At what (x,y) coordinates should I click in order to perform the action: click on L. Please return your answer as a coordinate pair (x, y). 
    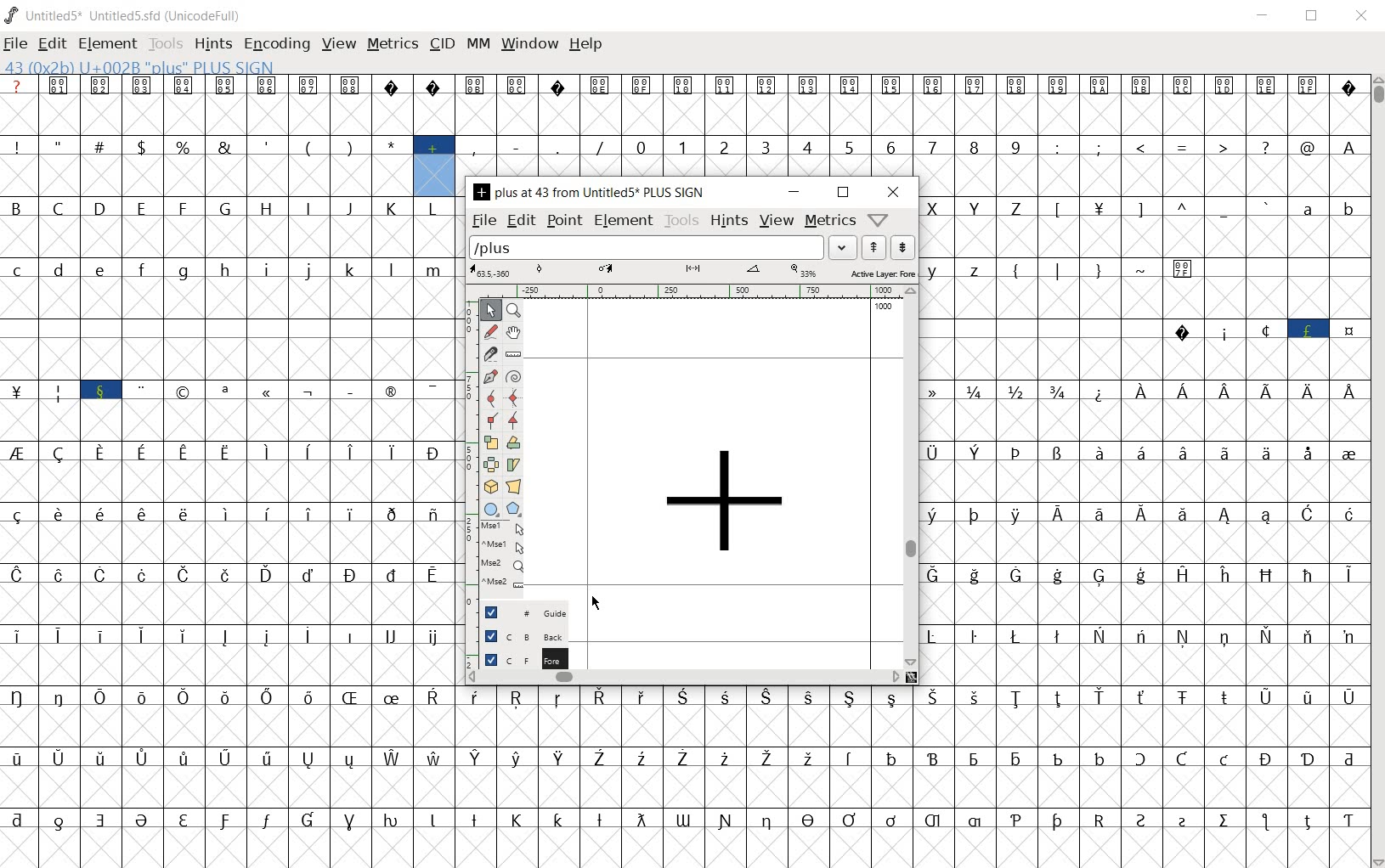
    Looking at the image, I should click on (1061, 227).